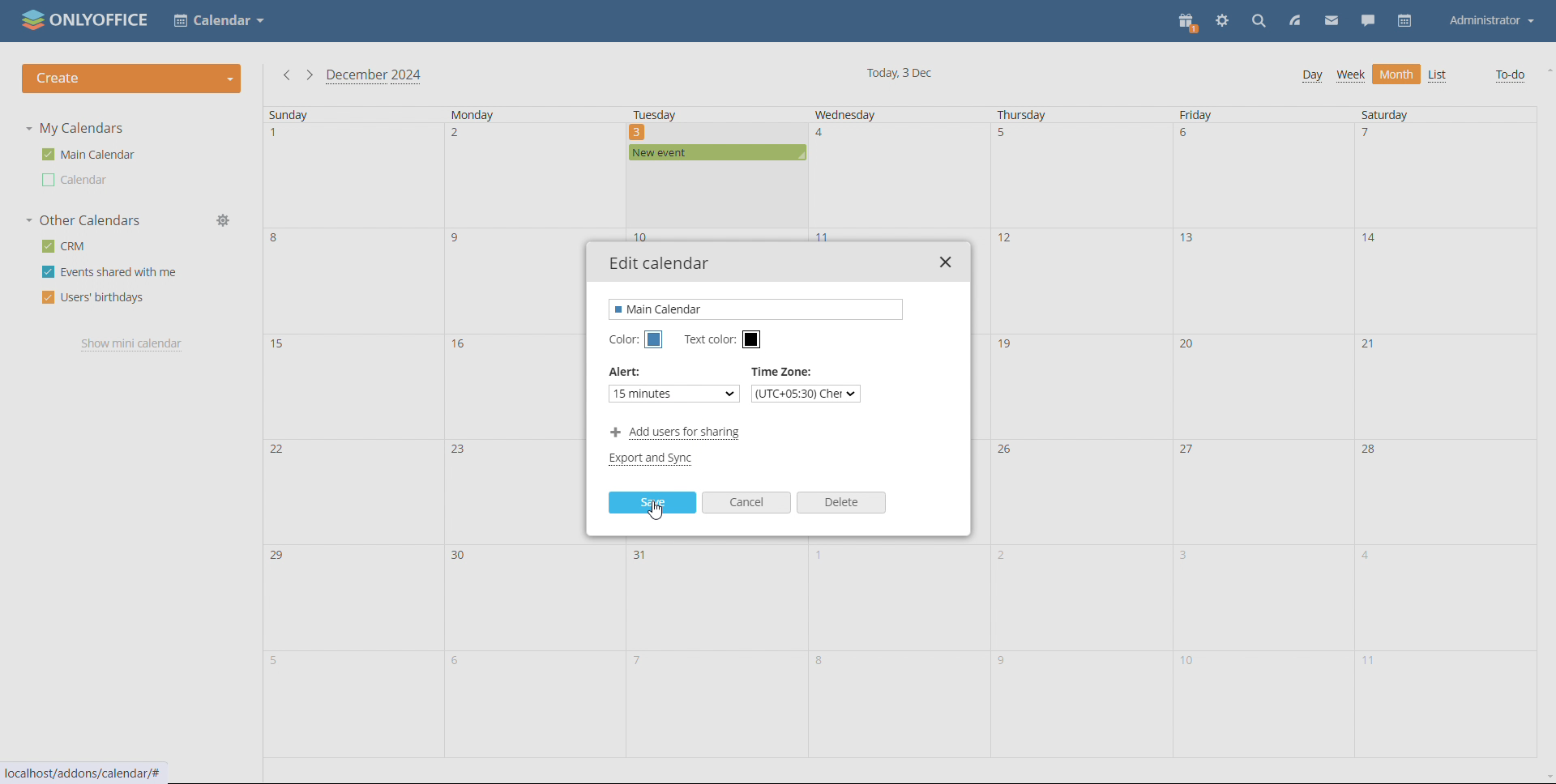 The width and height of the screenshot is (1556, 784). What do you see at coordinates (352, 706) in the screenshot?
I see `date` at bounding box center [352, 706].